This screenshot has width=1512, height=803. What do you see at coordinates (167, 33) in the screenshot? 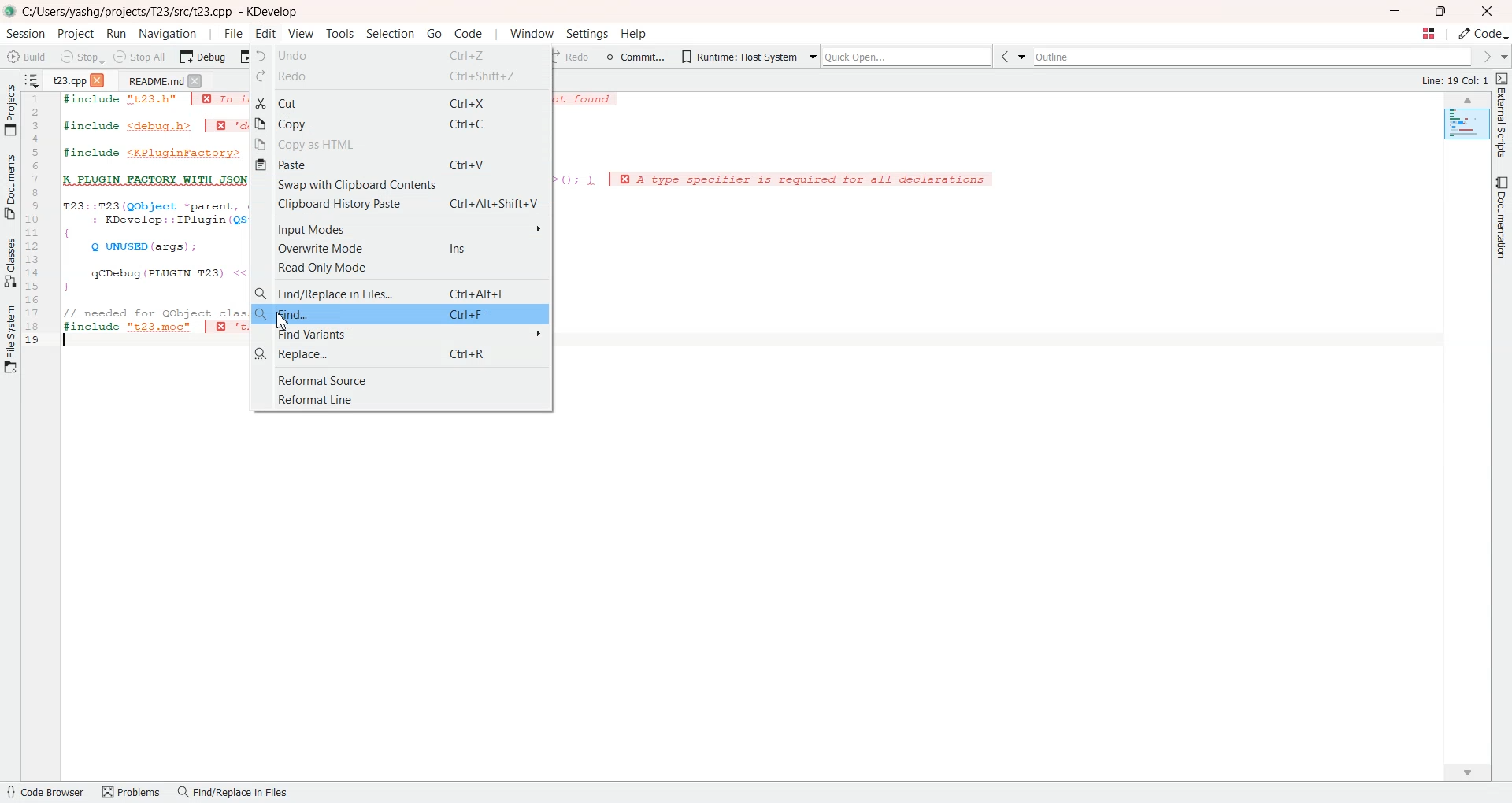
I see `Navigation` at bounding box center [167, 33].